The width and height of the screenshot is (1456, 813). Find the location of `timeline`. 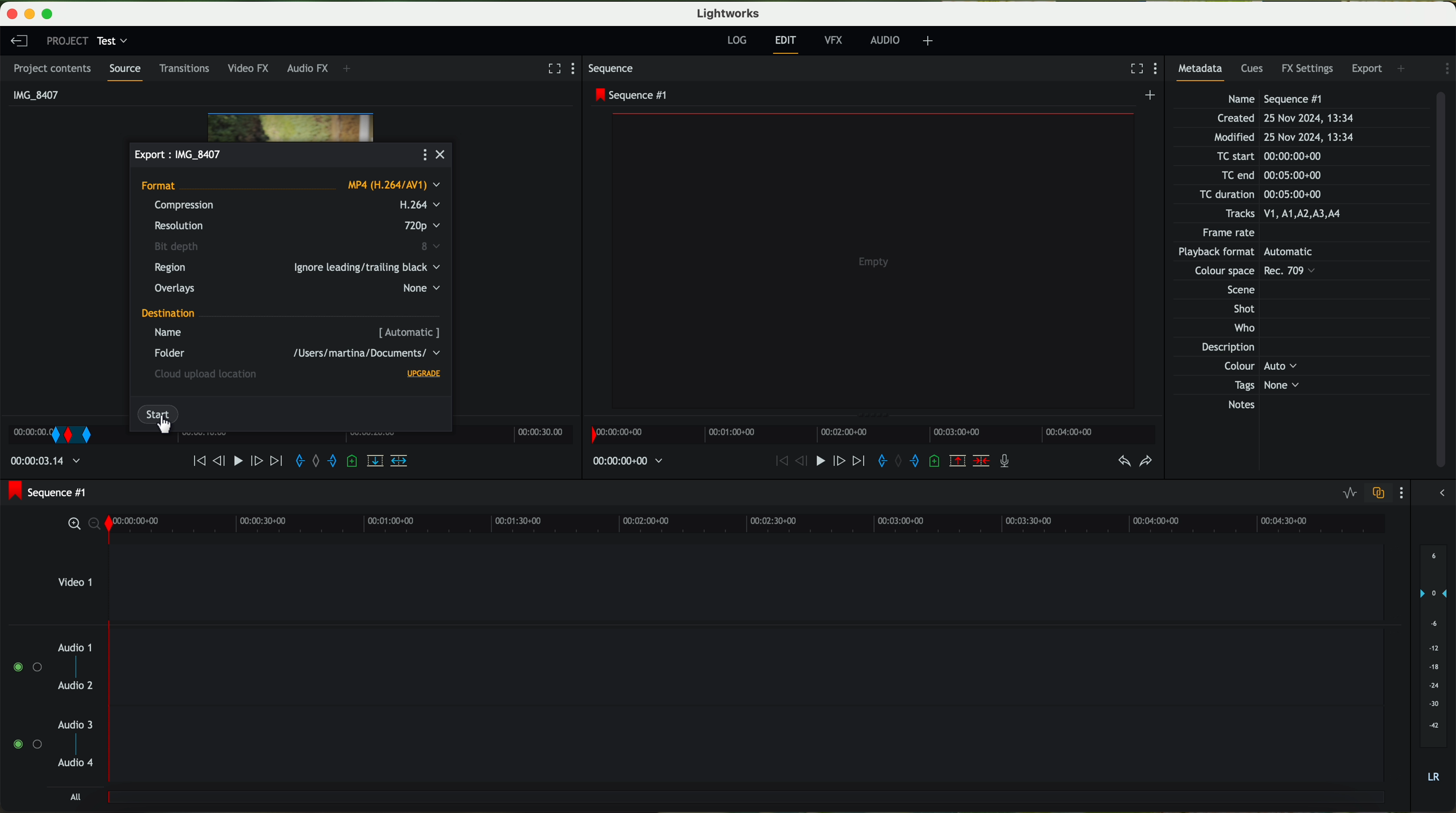

timeline is located at coordinates (872, 434).